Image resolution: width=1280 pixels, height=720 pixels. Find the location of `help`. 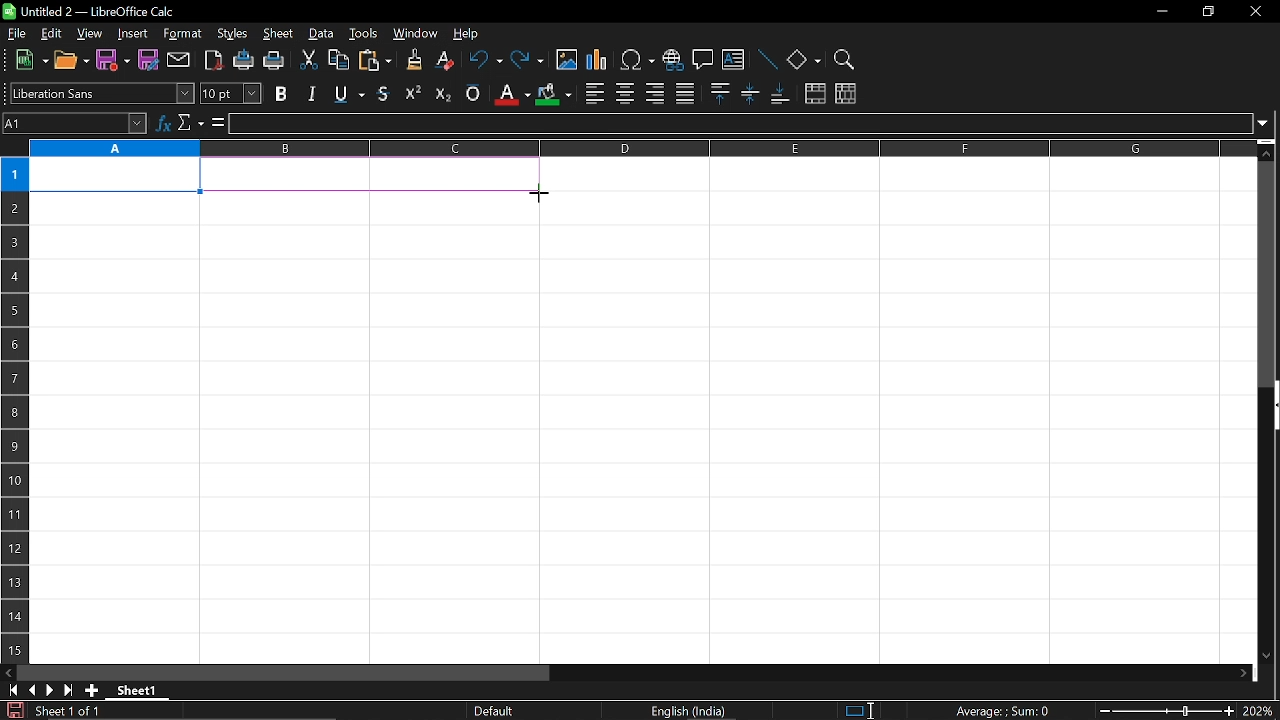

help is located at coordinates (474, 32).